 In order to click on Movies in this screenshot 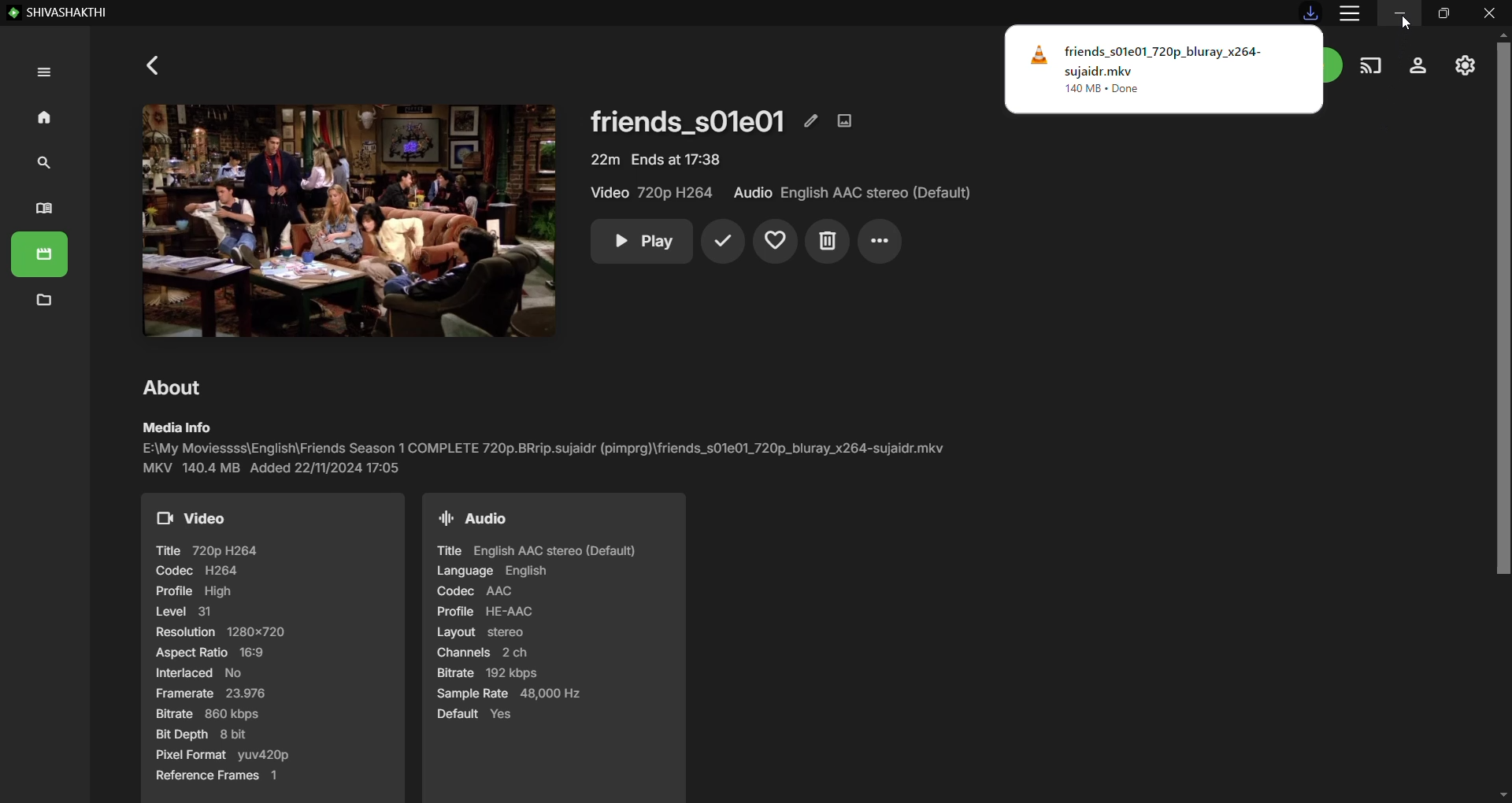, I will do `click(41, 257)`.